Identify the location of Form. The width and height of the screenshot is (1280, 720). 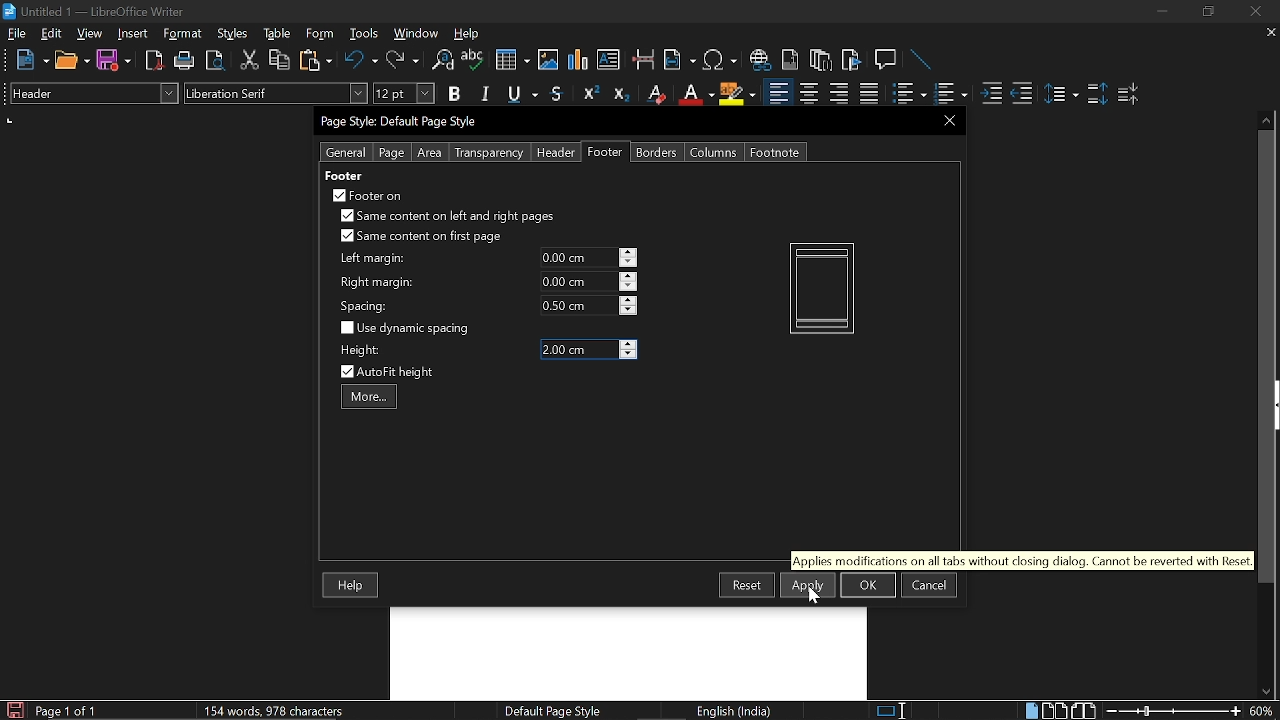
(321, 34).